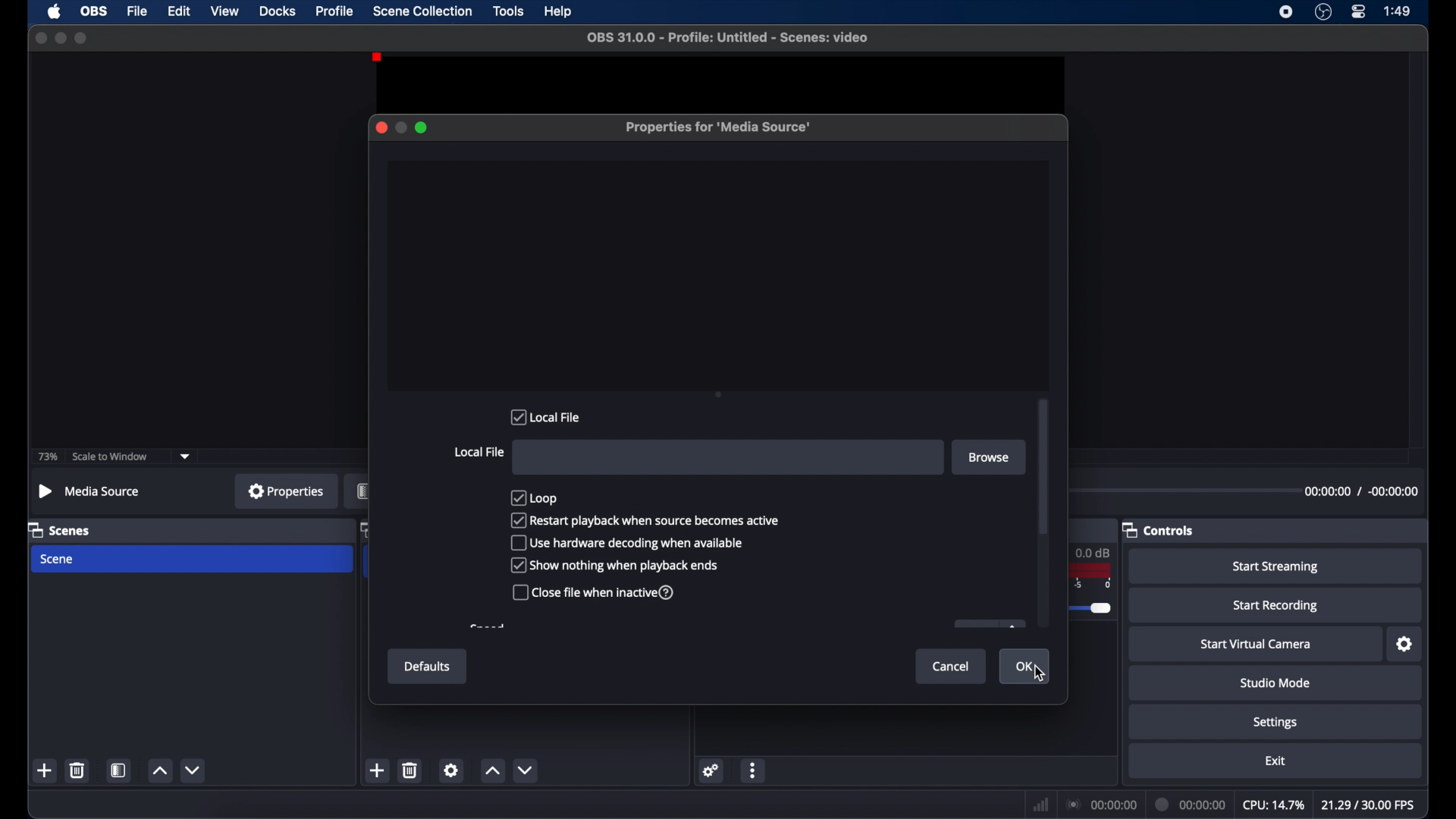 This screenshot has width=1456, height=819. Describe the element at coordinates (479, 453) in the screenshot. I see `local file` at that location.